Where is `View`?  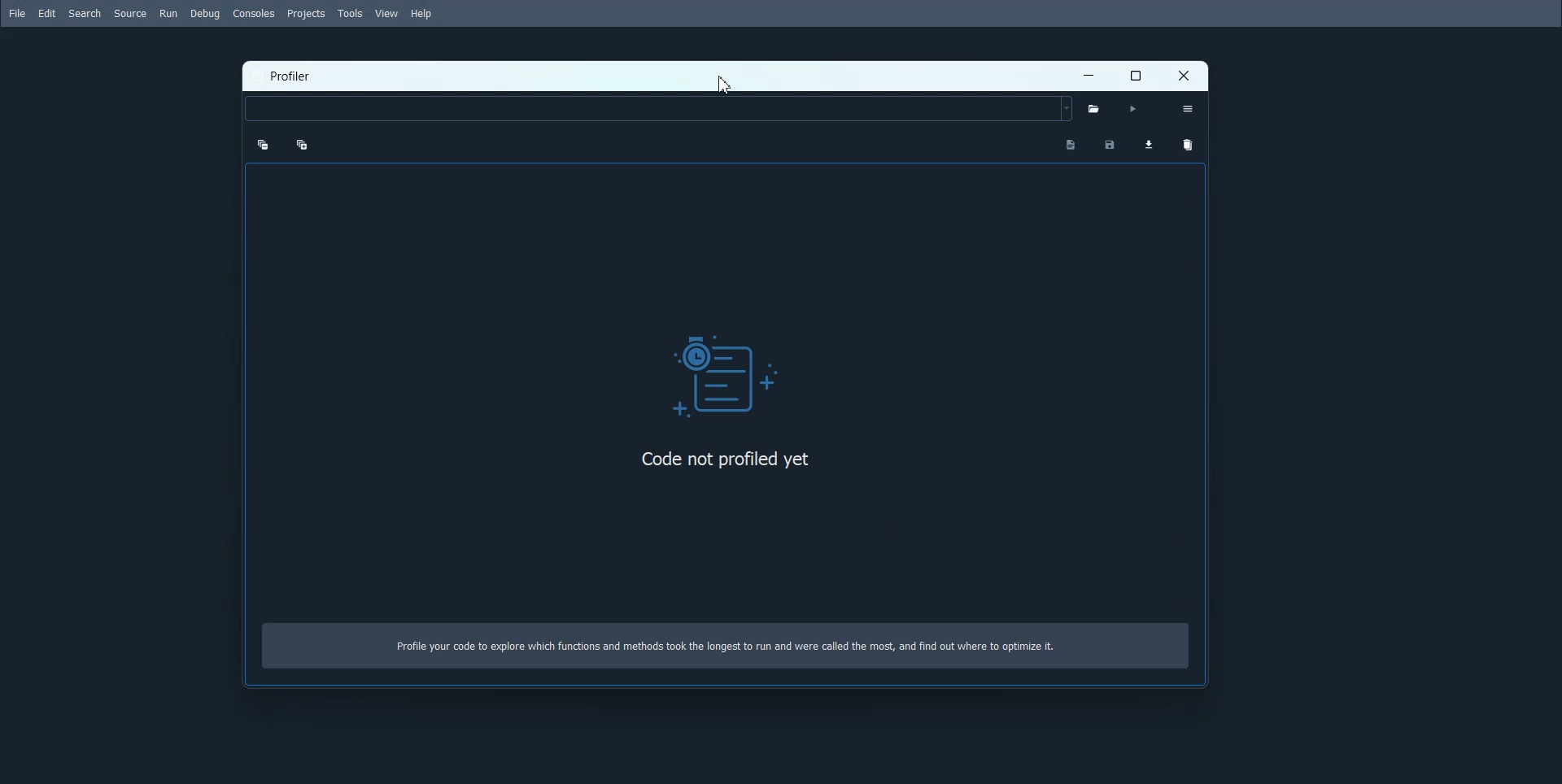
View is located at coordinates (387, 13).